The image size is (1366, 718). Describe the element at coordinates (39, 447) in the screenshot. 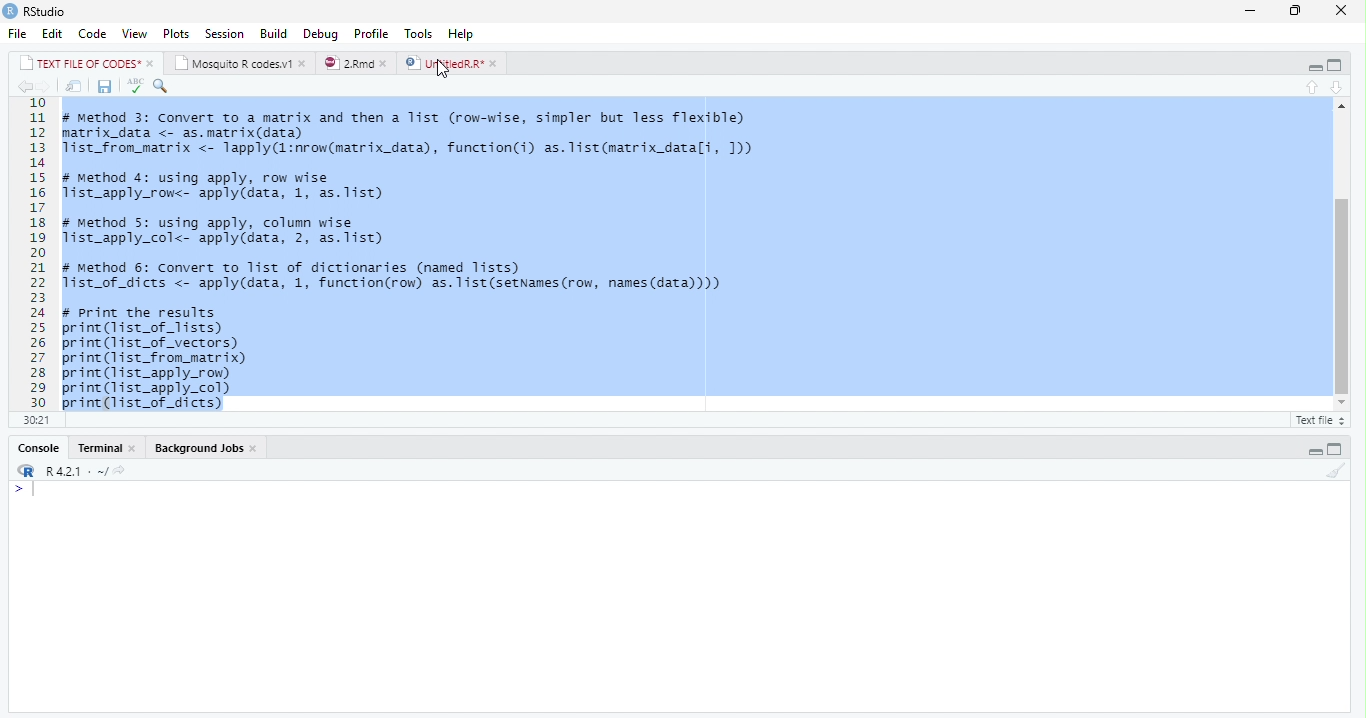

I see `Console` at that location.